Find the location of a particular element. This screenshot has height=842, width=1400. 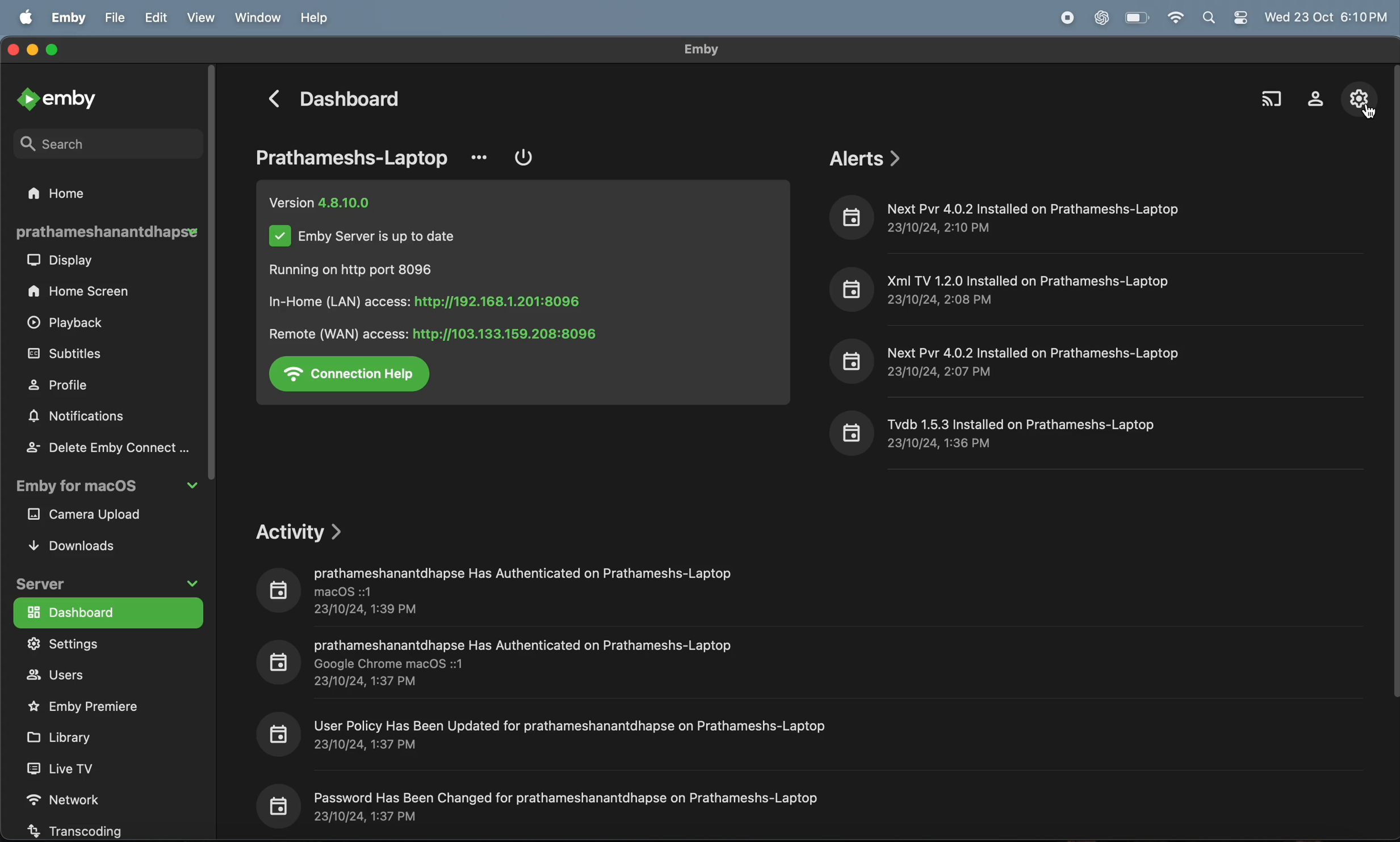

user is located at coordinates (69, 675).